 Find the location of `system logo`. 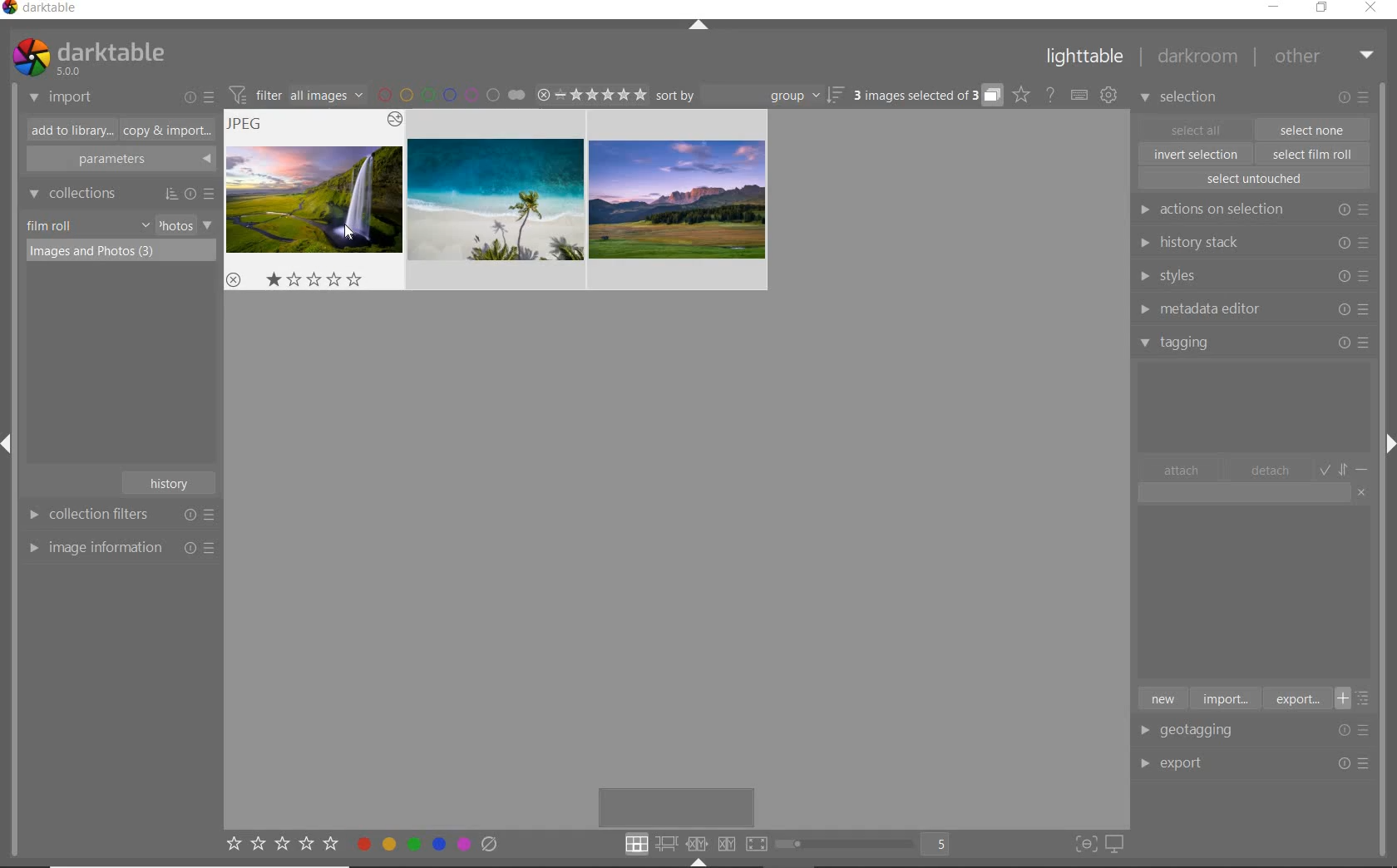

system logo is located at coordinates (87, 57).